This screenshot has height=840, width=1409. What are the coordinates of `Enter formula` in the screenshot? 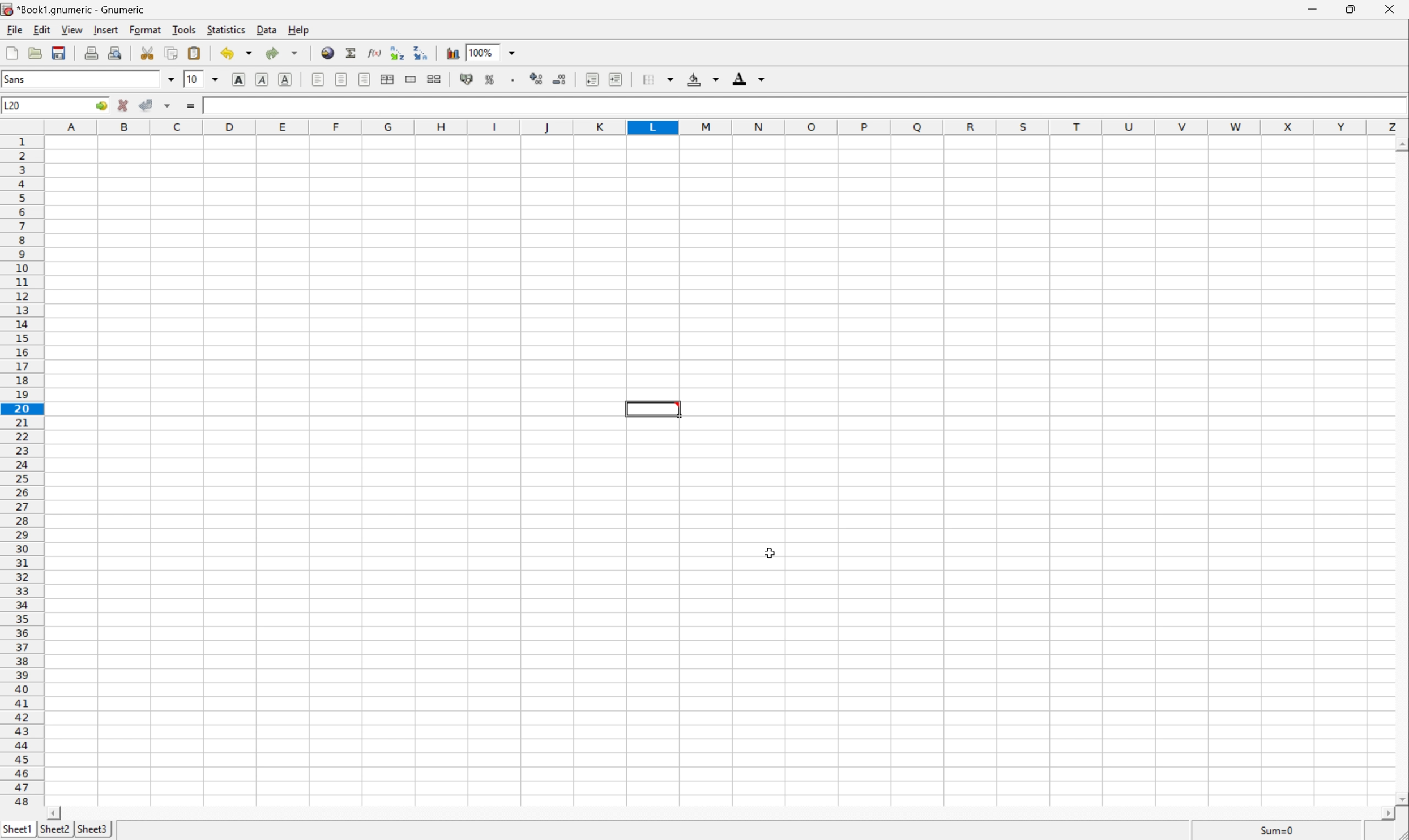 It's located at (190, 107).